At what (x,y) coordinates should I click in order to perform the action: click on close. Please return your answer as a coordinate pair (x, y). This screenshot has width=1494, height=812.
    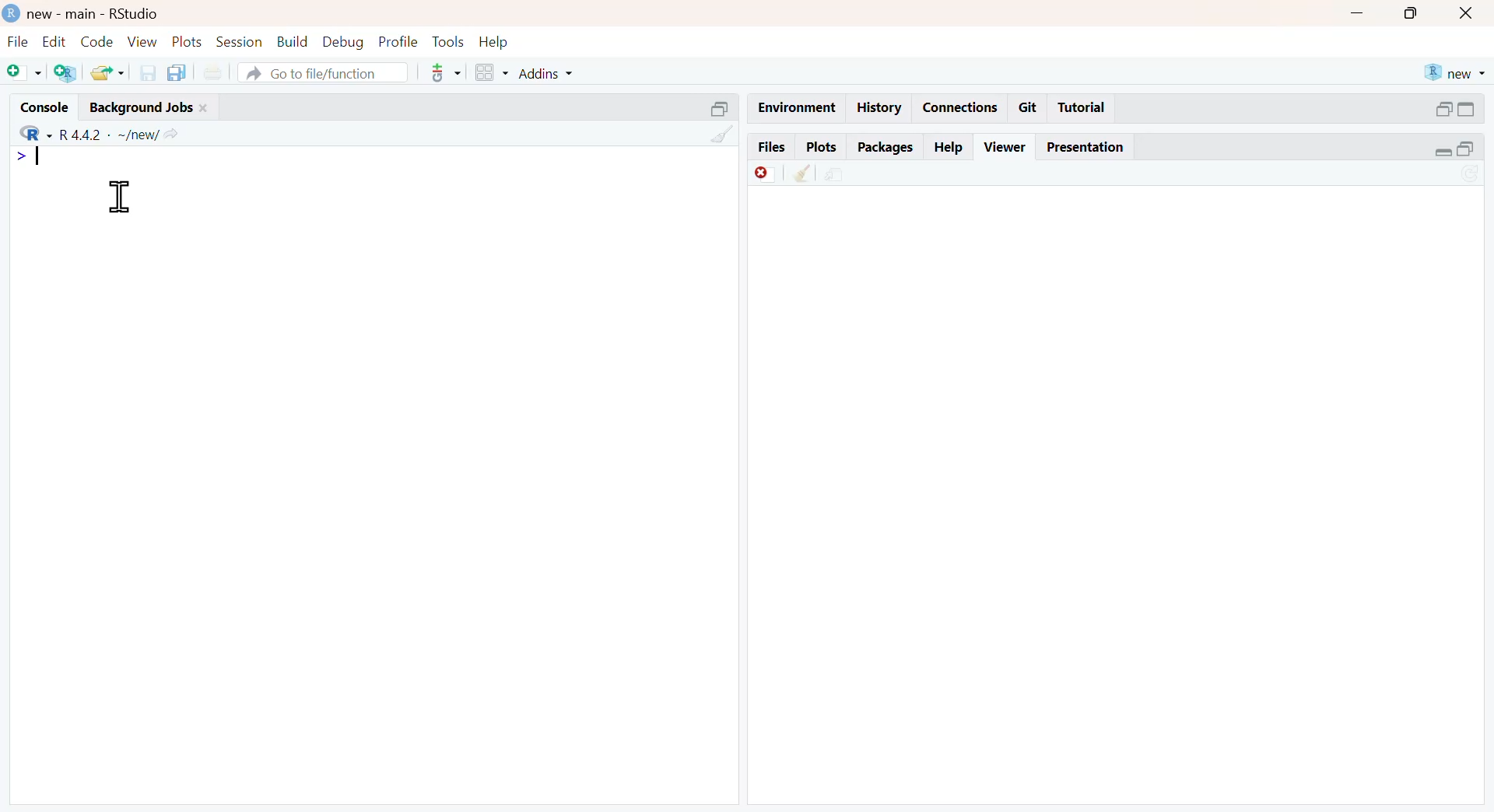
    Looking at the image, I should click on (1468, 13).